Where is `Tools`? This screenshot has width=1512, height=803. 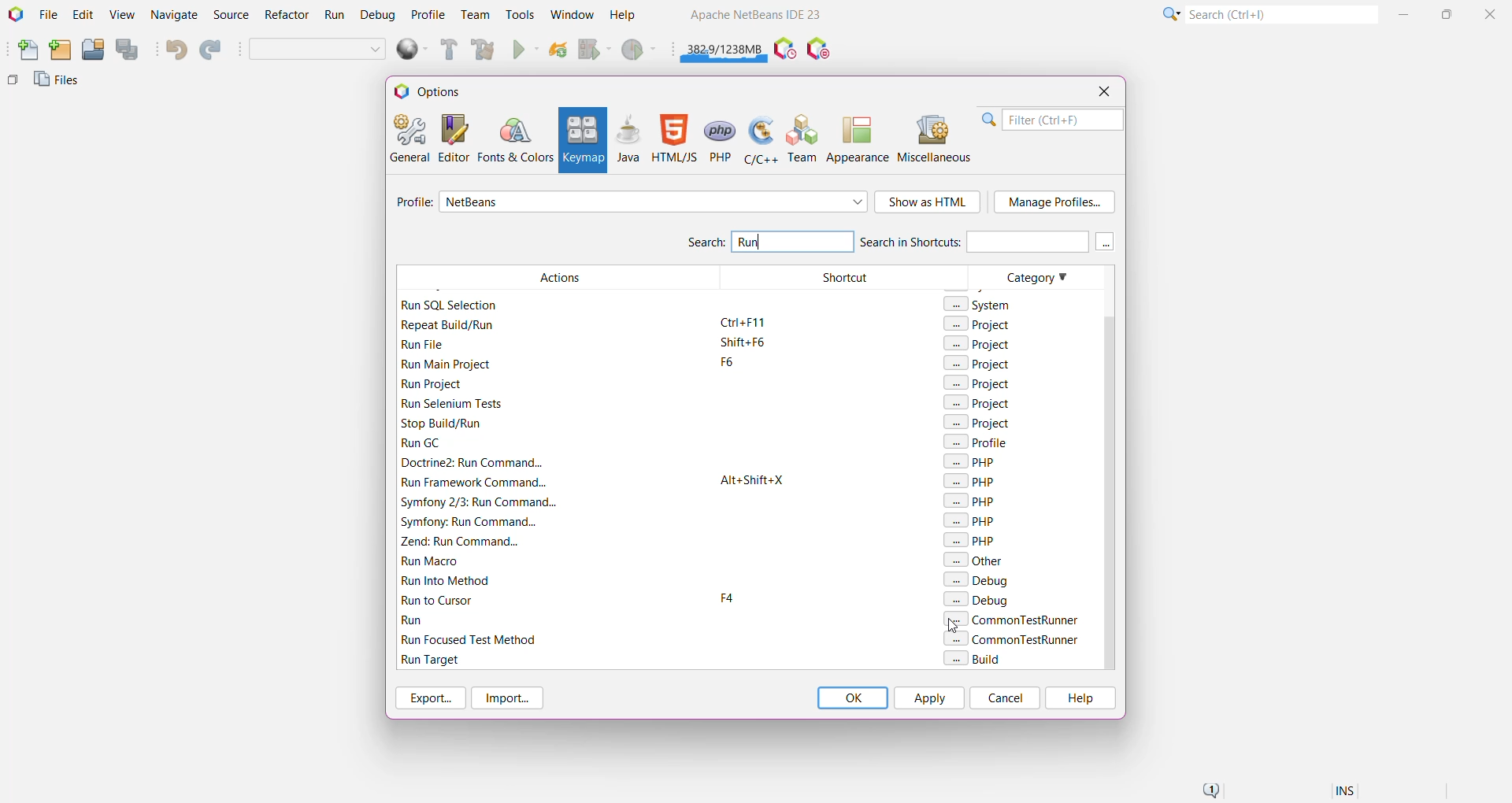 Tools is located at coordinates (521, 13).